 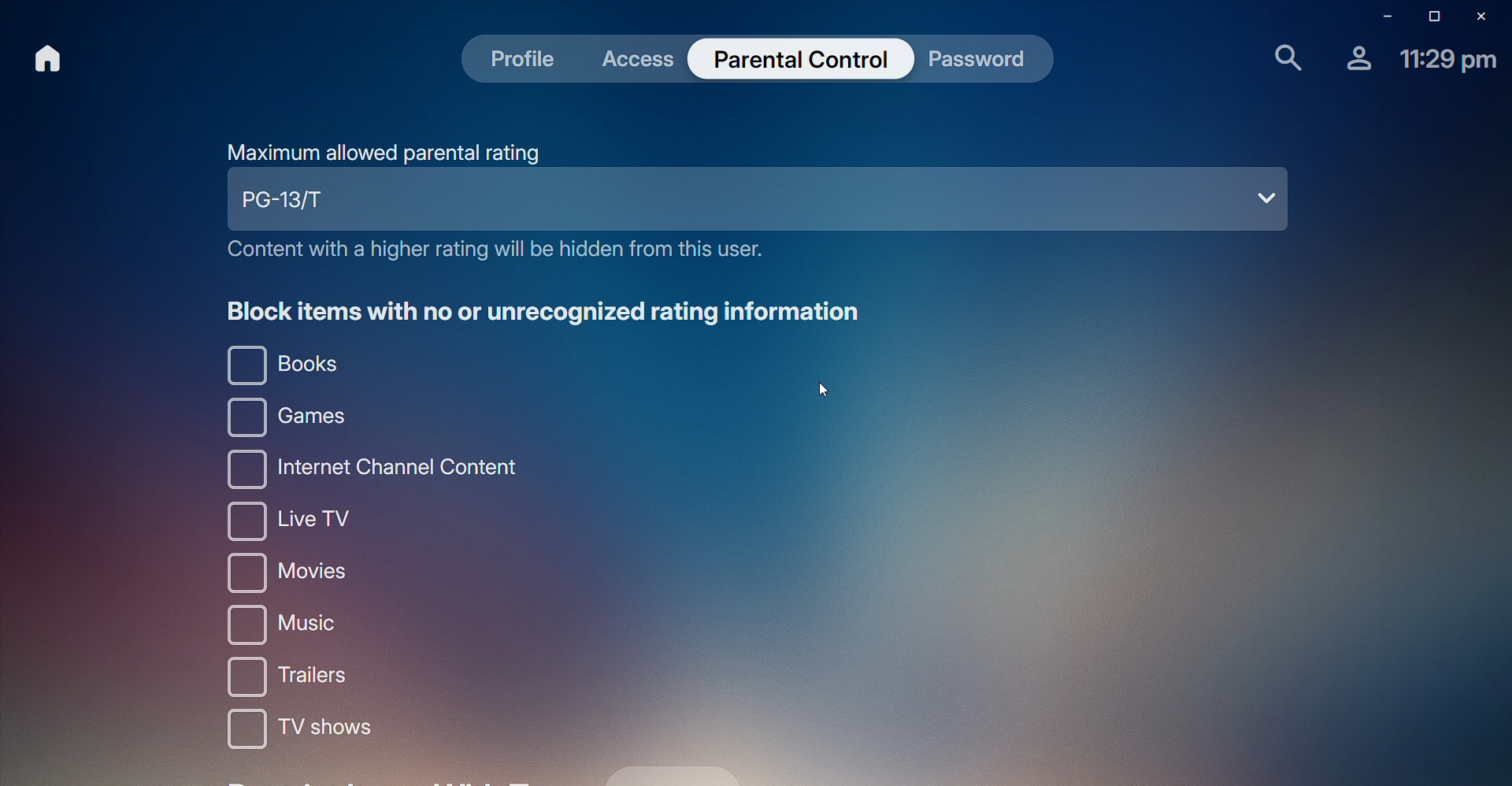 What do you see at coordinates (385, 152) in the screenshot?
I see `Maximum  allowed parental rating` at bounding box center [385, 152].